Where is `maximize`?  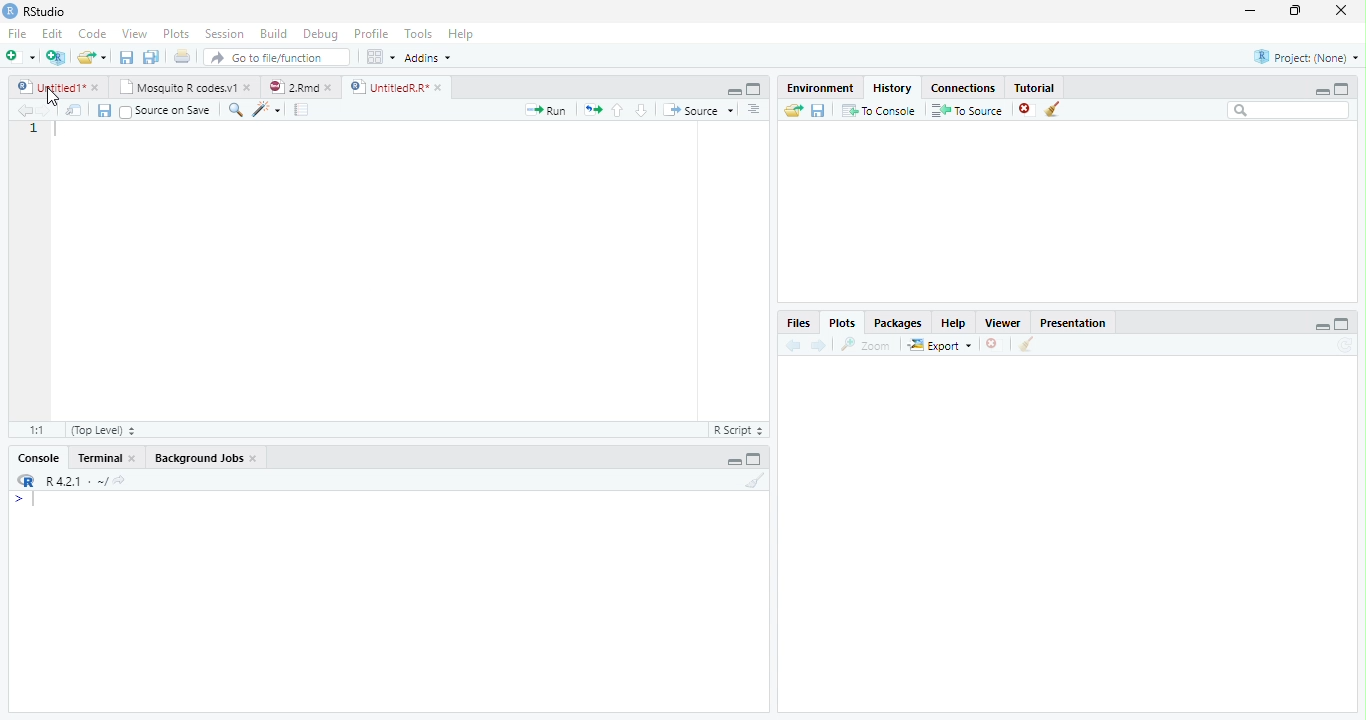 maximize is located at coordinates (1344, 323).